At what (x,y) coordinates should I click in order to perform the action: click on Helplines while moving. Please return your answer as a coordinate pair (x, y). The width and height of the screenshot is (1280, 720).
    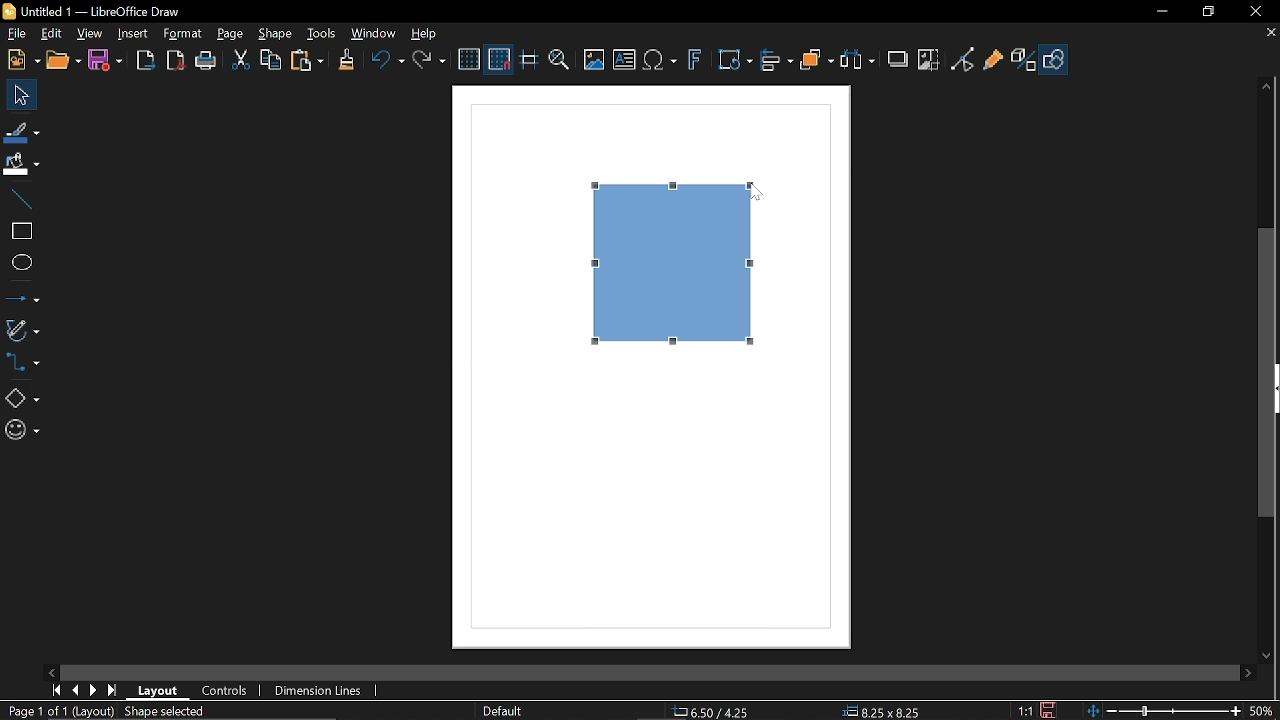
    Looking at the image, I should click on (528, 61).